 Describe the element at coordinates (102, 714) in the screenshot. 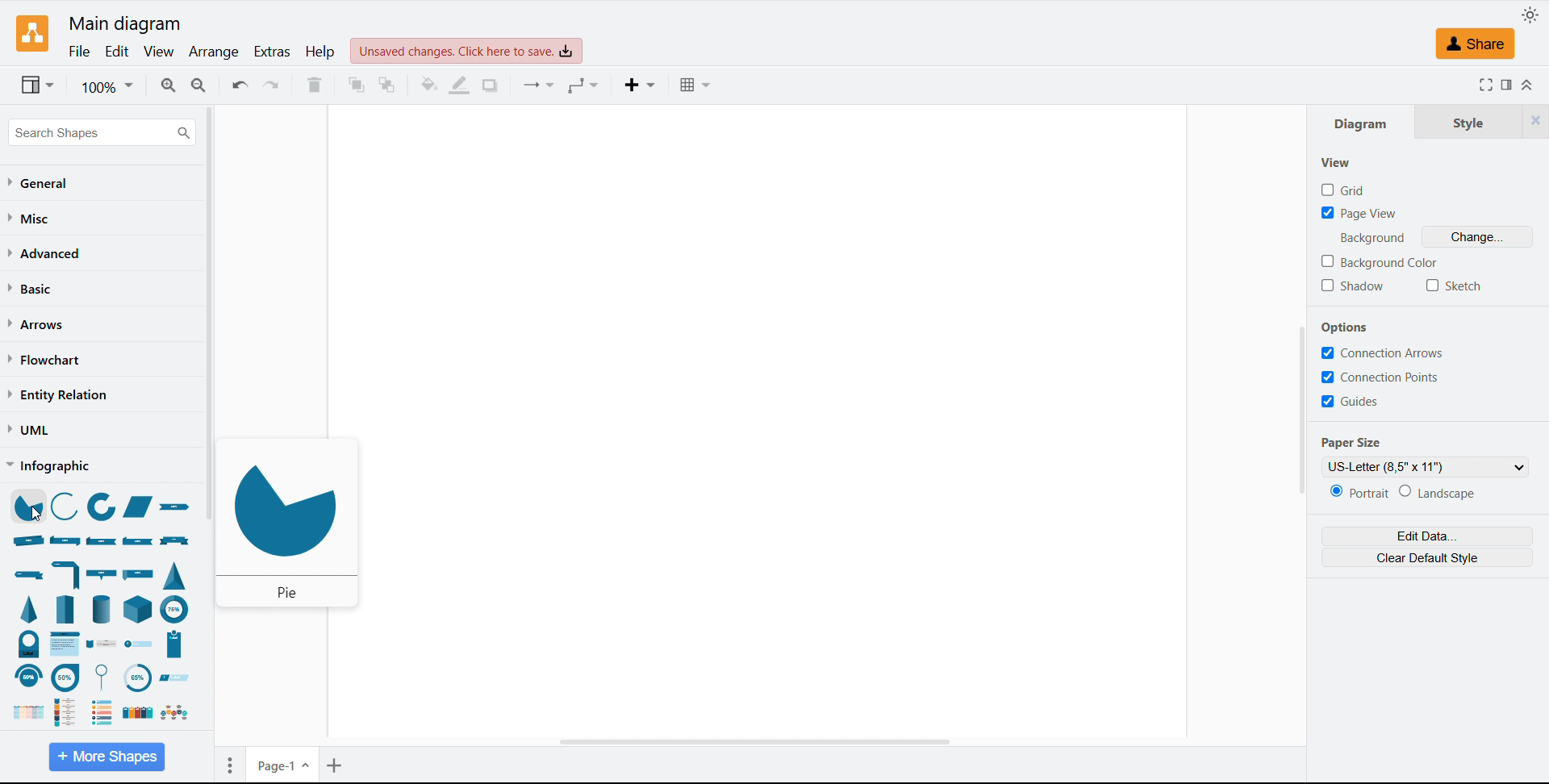

I see `numbered list` at that location.